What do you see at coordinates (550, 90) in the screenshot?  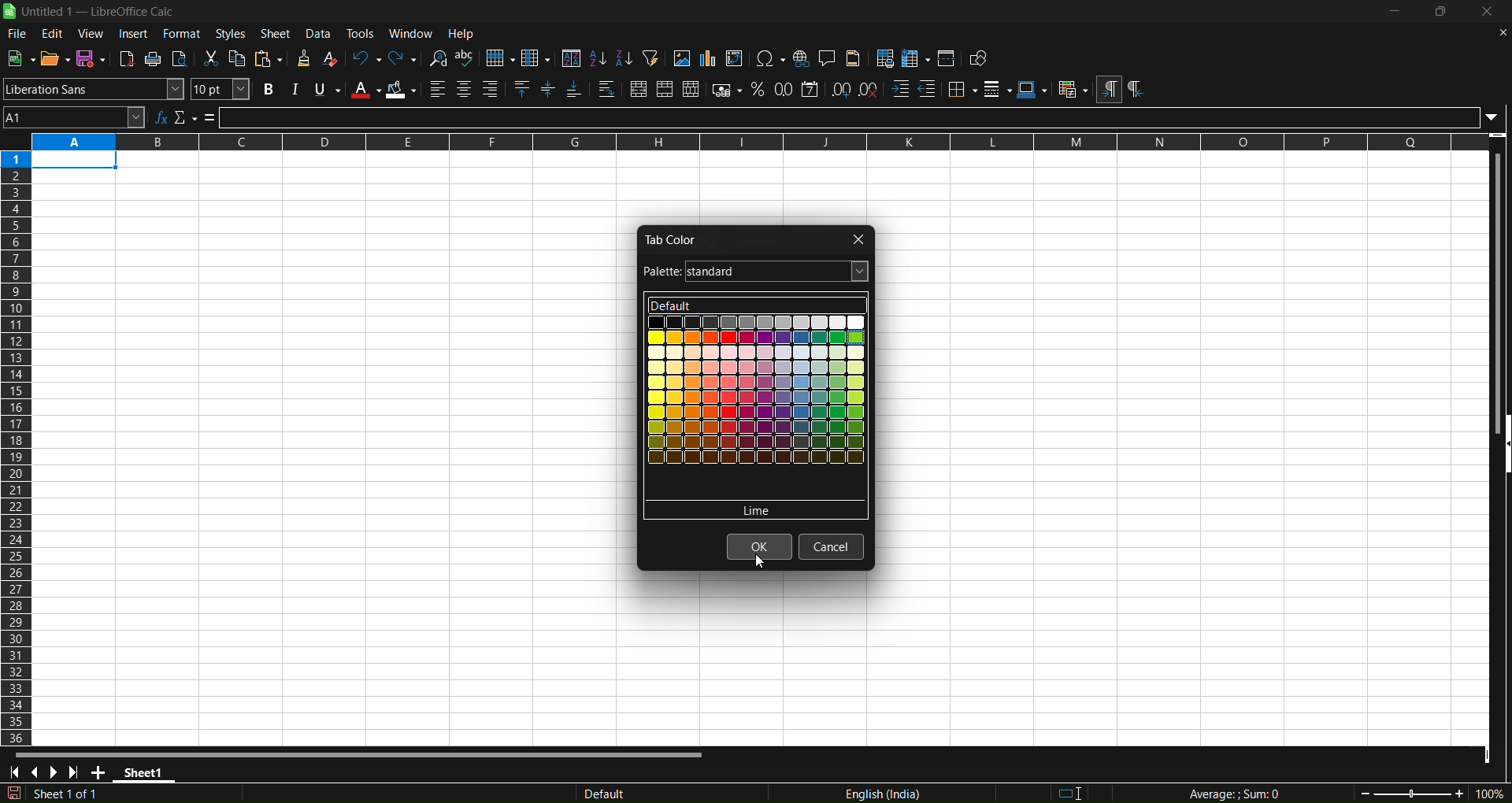 I see `center vertically` at bounding box center [550, 90].